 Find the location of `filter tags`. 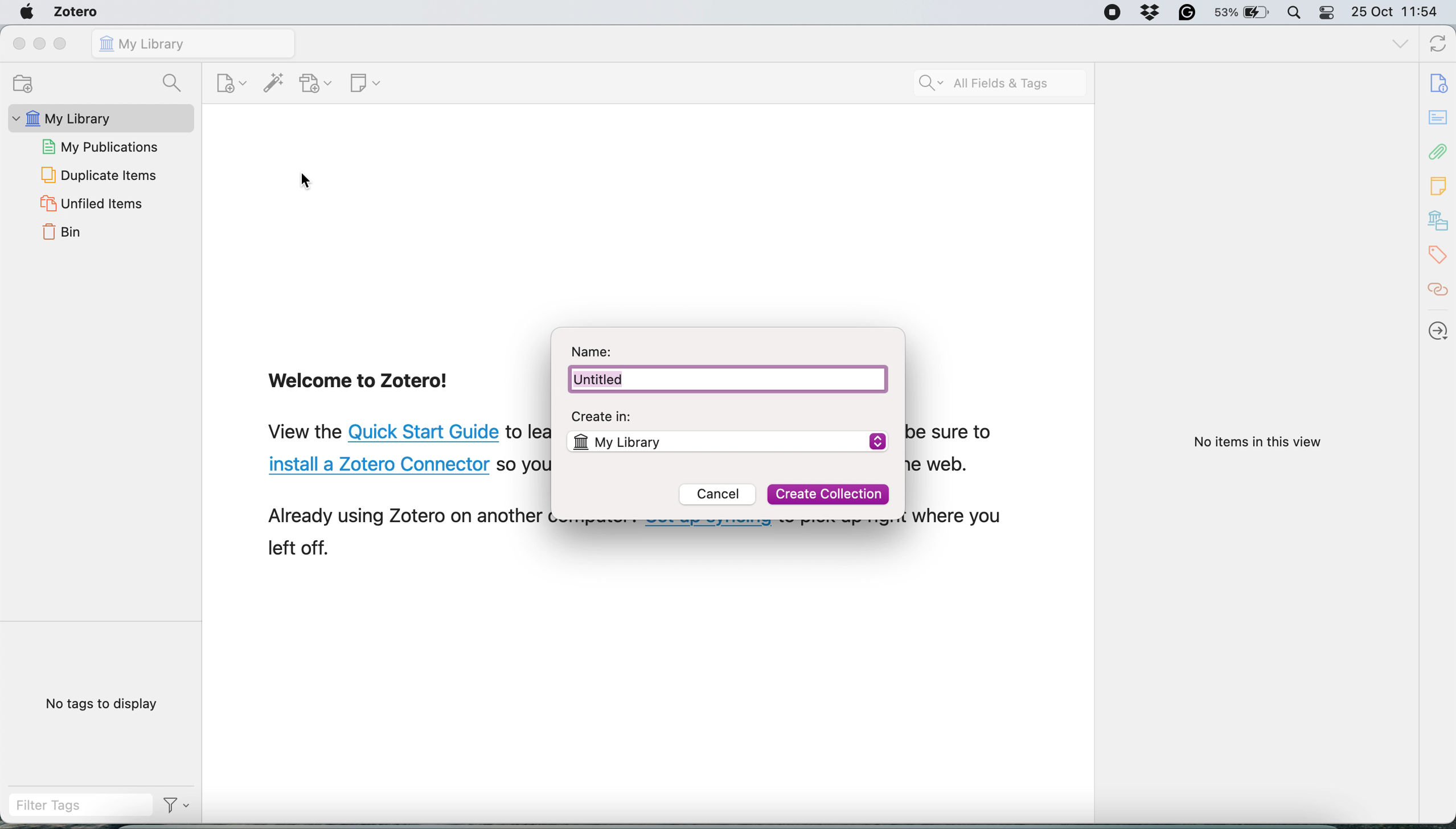

filter tags is located at coordinates (77, 809).